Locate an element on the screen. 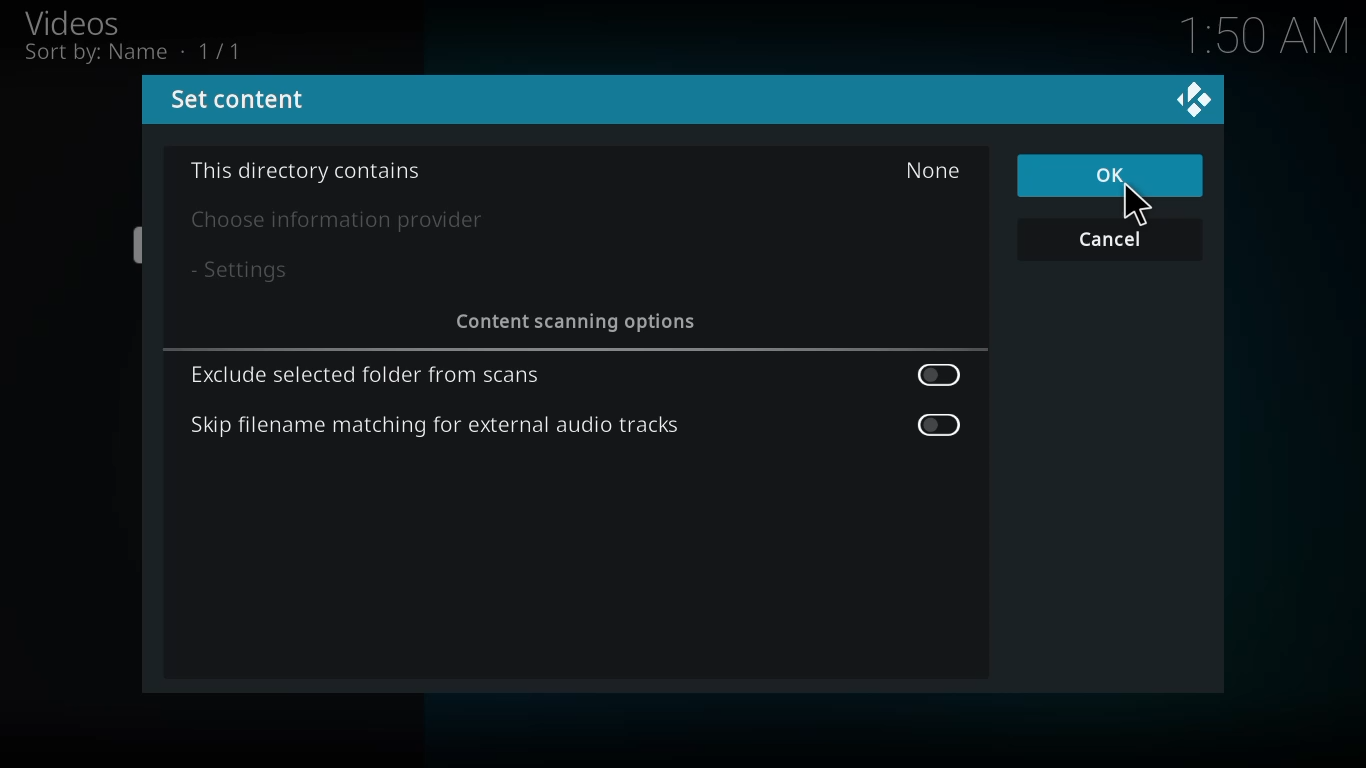 The width and height of the screenshot is (1366, 768). skip filename matching for external audio is located at coordinates (437, 425).